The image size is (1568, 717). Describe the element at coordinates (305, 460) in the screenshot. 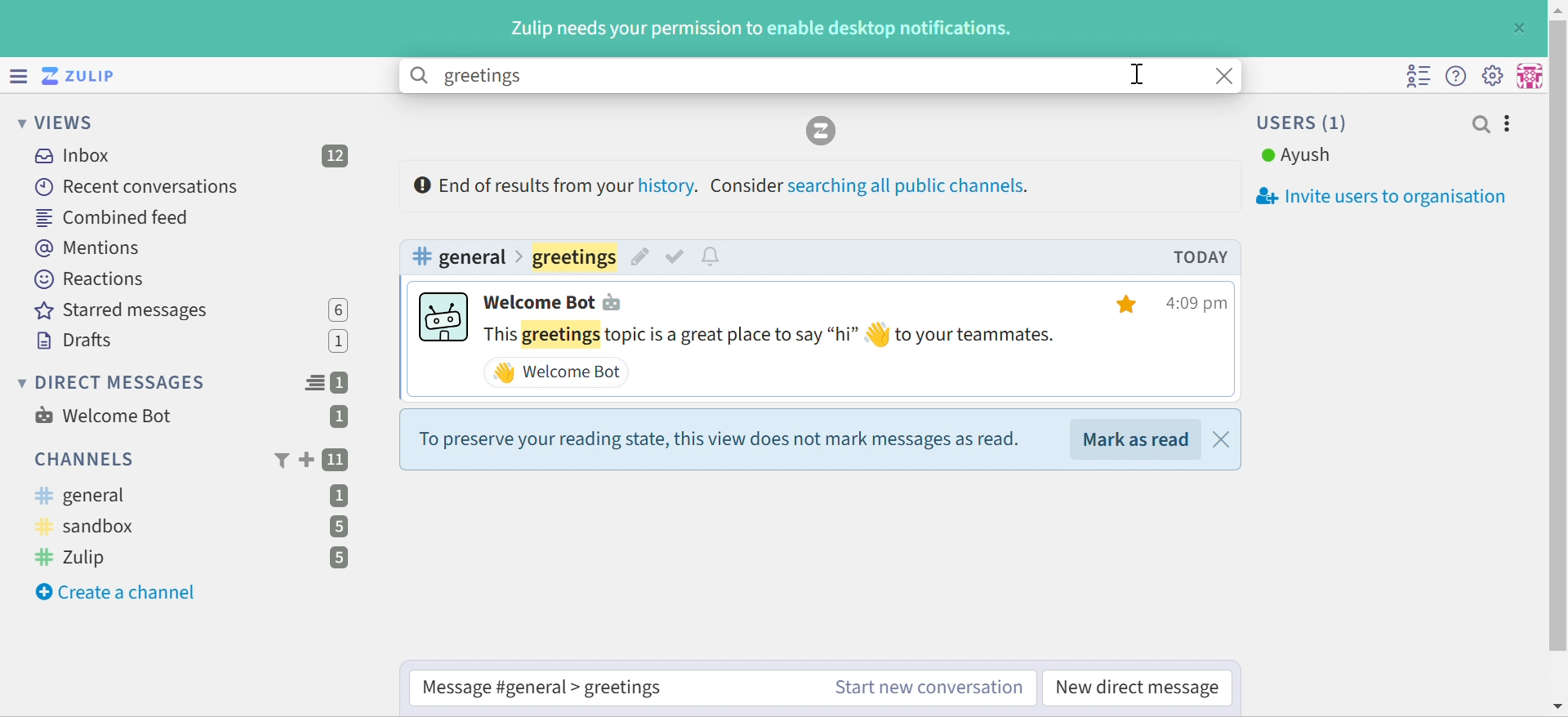

I see `Add channels` at that location.